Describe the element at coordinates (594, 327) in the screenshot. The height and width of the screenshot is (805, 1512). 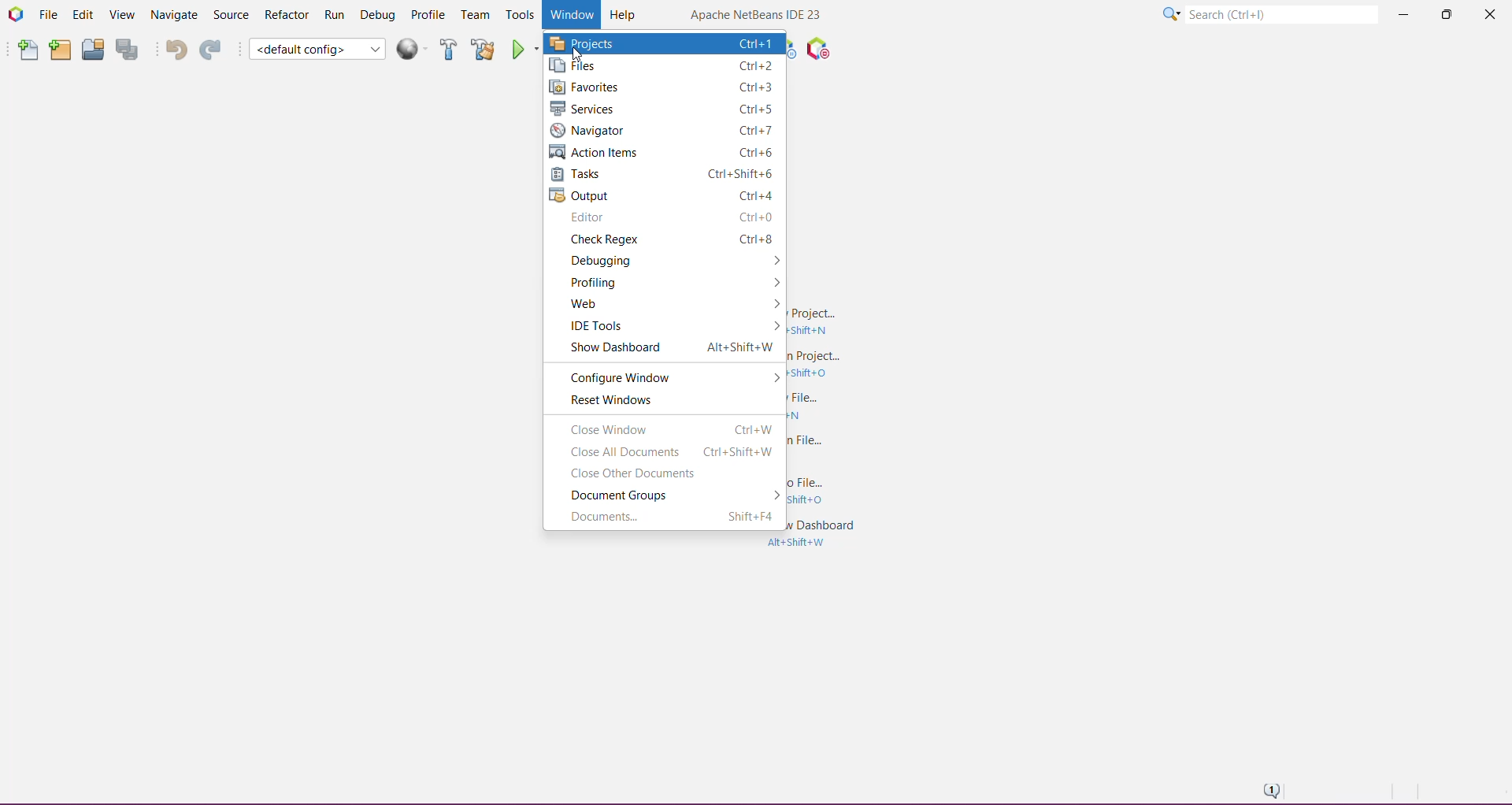
I see `IDE Tools` at that location.